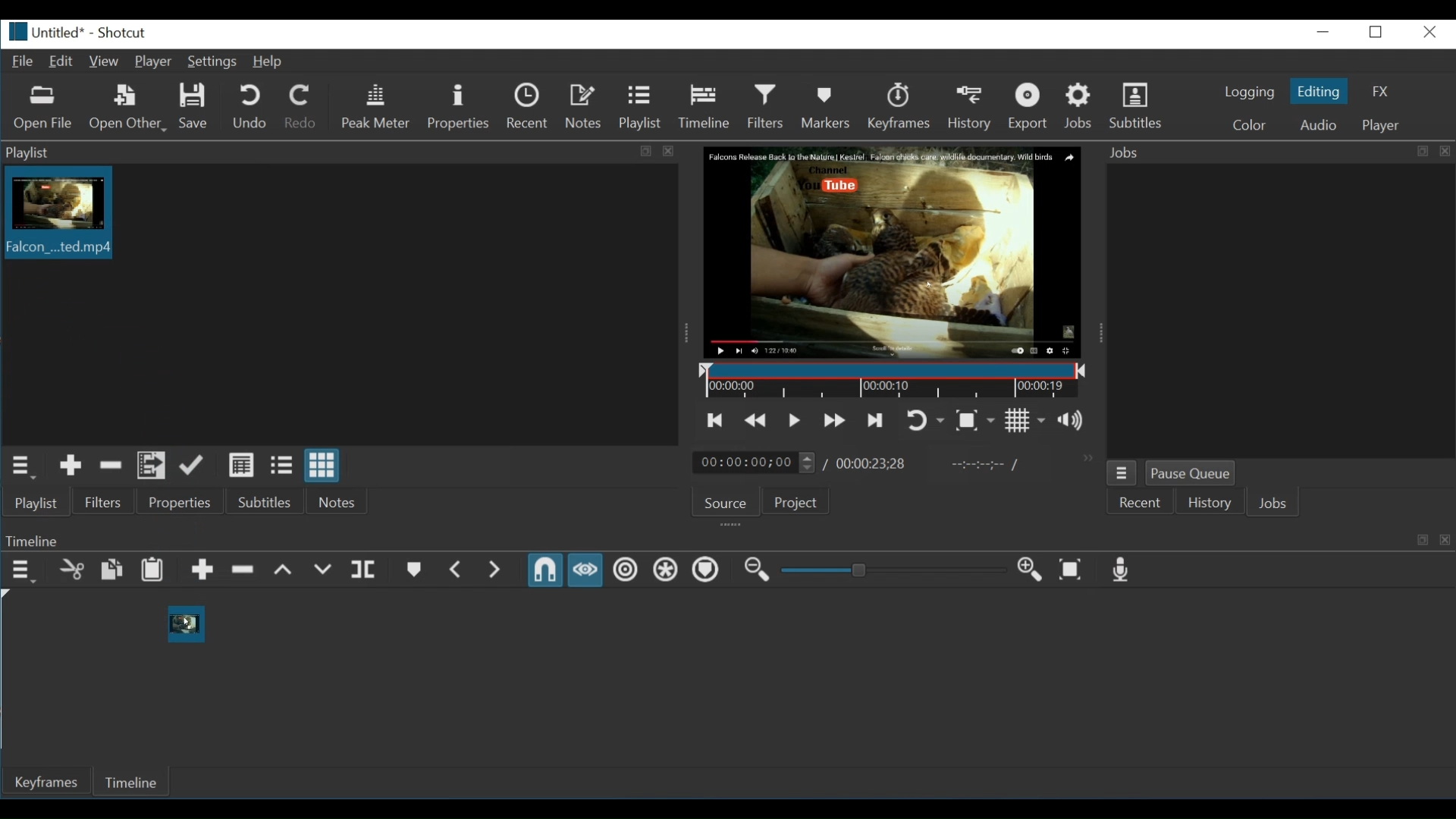 This screenshot has width=1456, height=819. I want to click on play quickly backwards, so click(753, 422).